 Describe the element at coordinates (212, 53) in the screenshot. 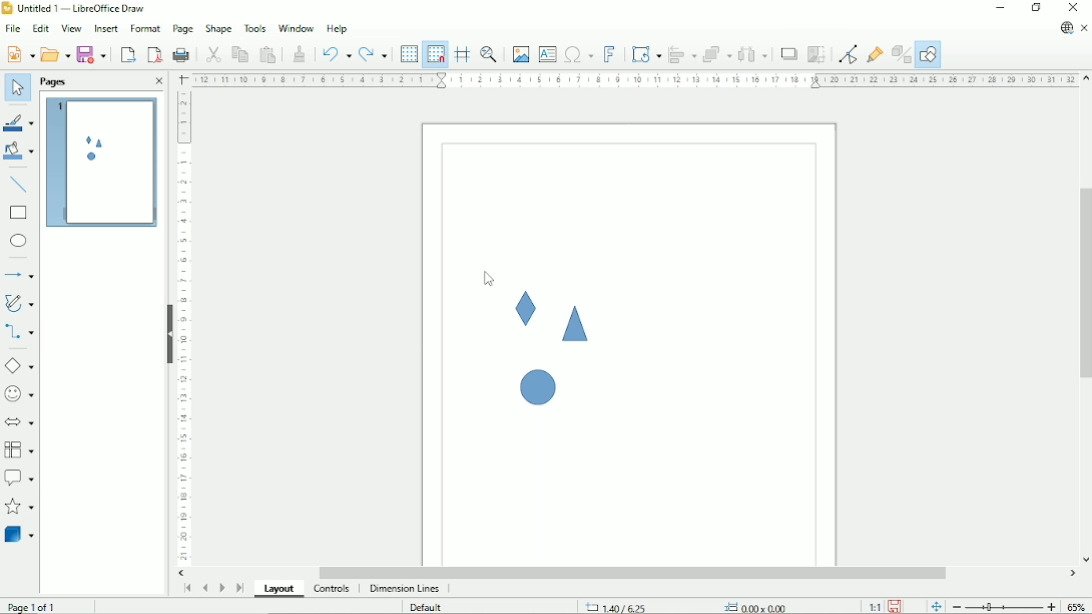

I see `Cut` at that location.